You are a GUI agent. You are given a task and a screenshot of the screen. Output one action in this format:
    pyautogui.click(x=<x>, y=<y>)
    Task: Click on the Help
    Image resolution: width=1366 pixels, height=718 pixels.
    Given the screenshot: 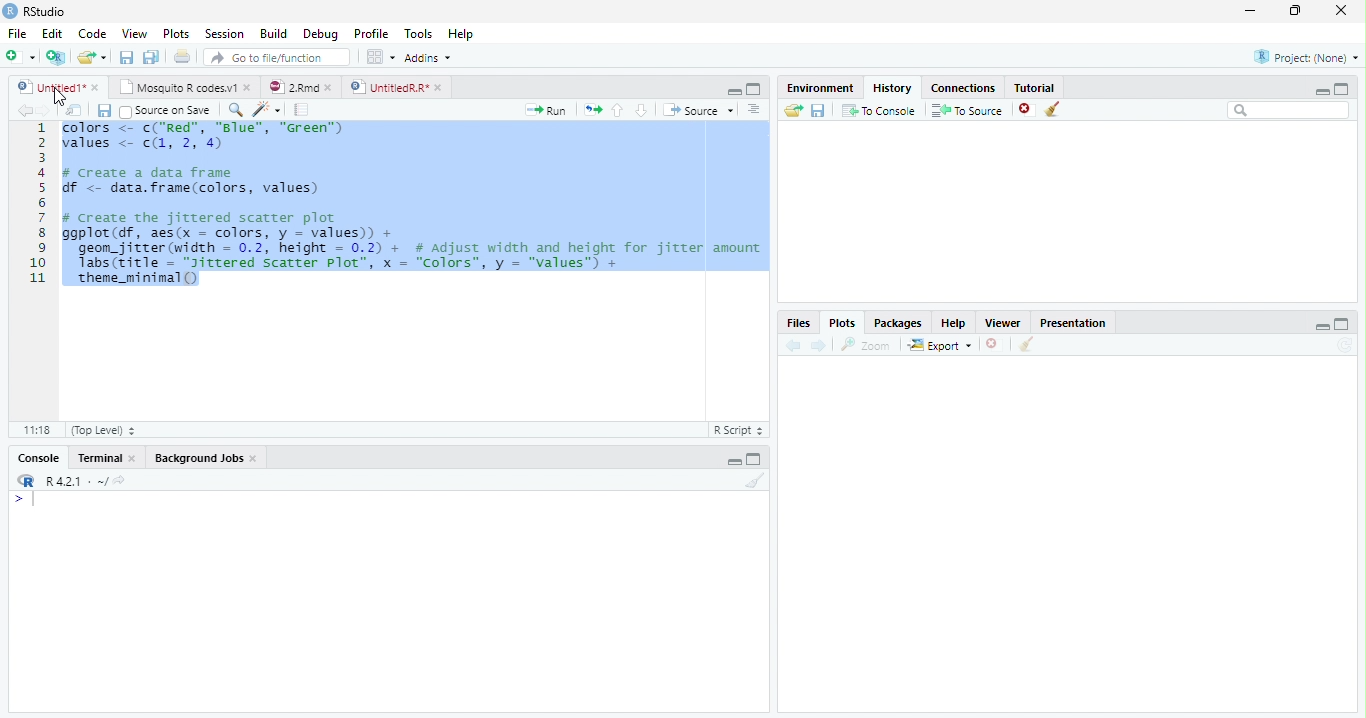 What is the action you would take?
    pyautogui.click(x=461, y=33)
    